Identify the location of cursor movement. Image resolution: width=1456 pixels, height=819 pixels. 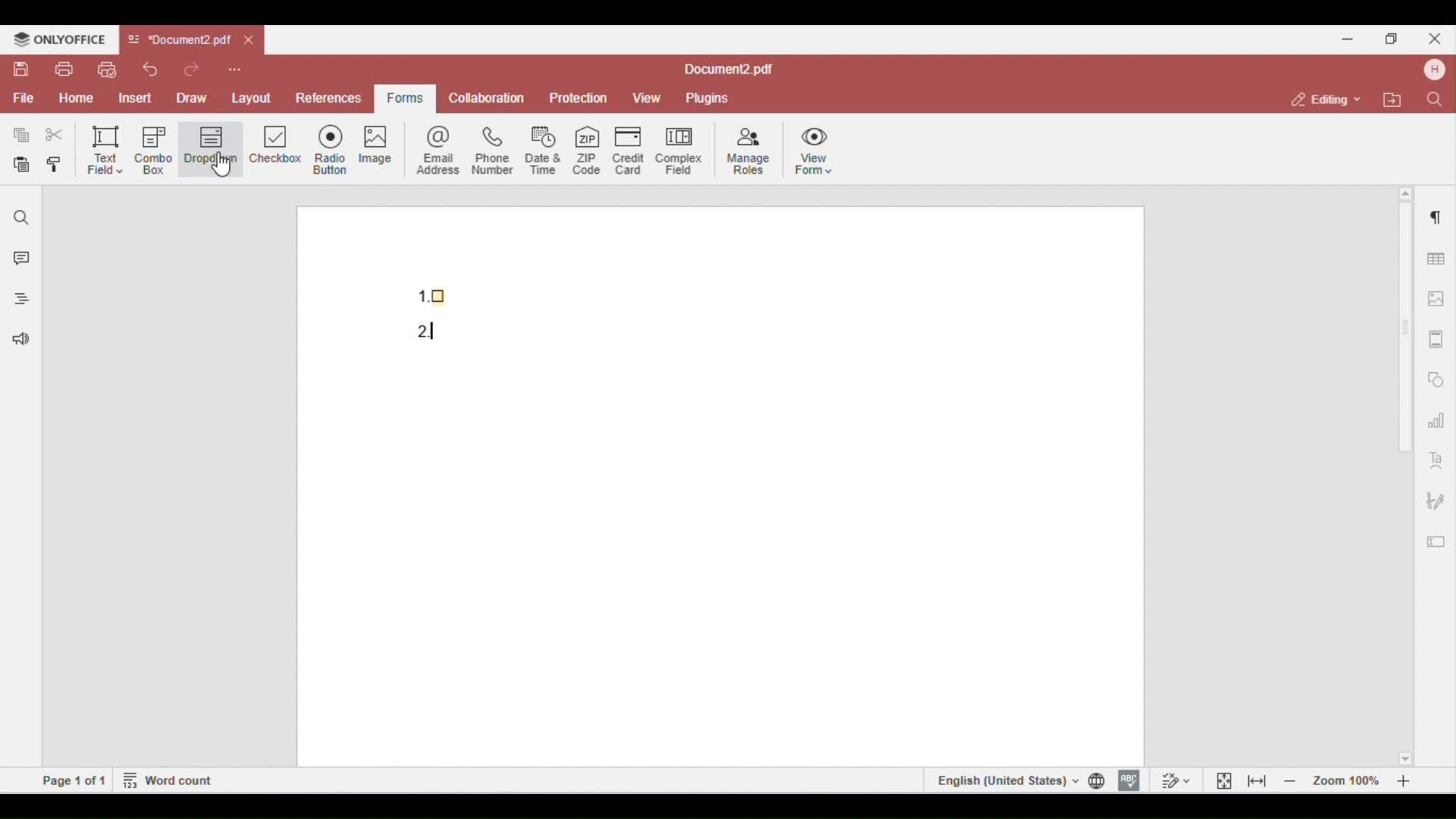
(224, 164).